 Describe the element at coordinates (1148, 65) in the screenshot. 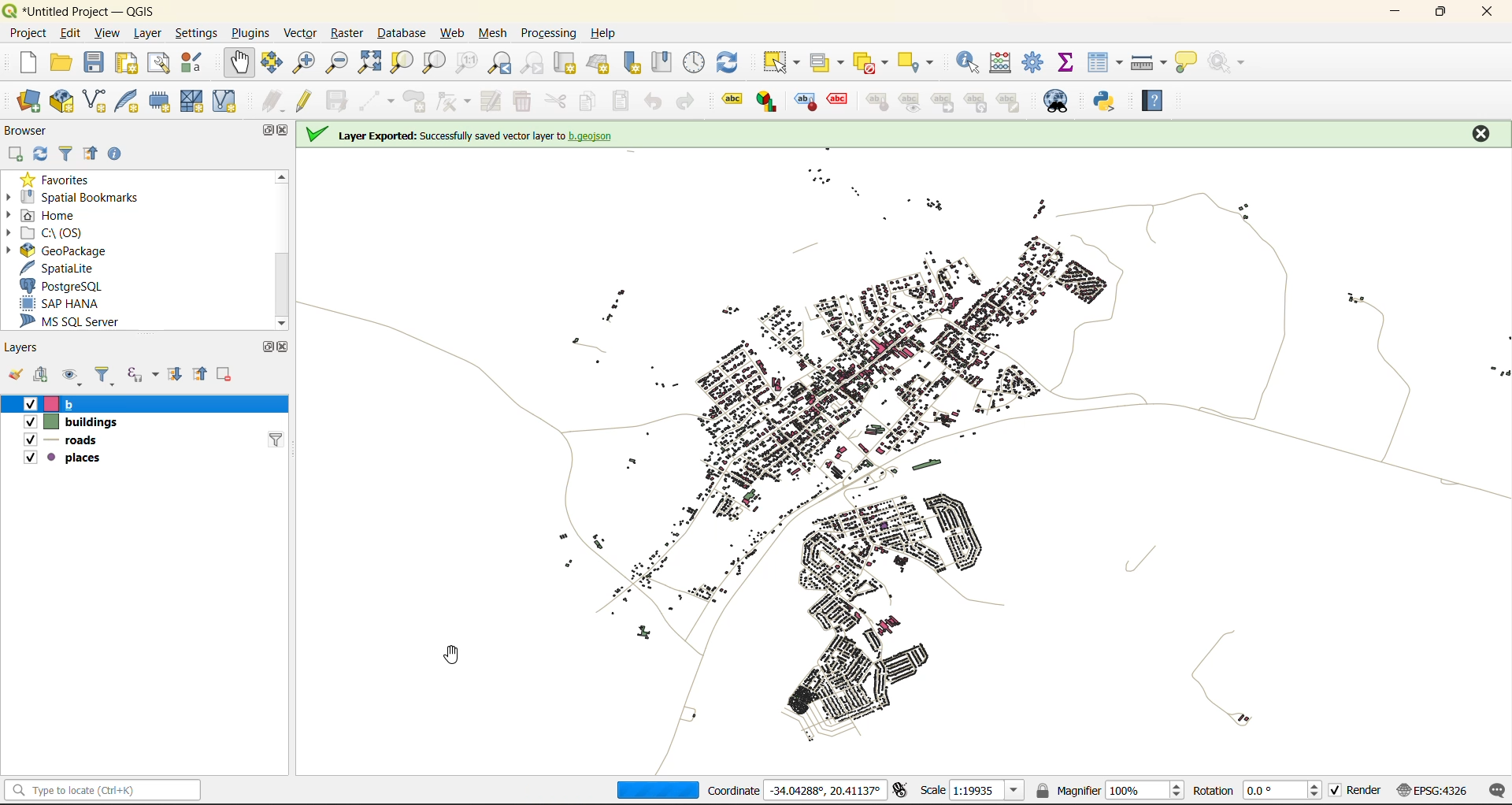

I see `measure line` at that location.